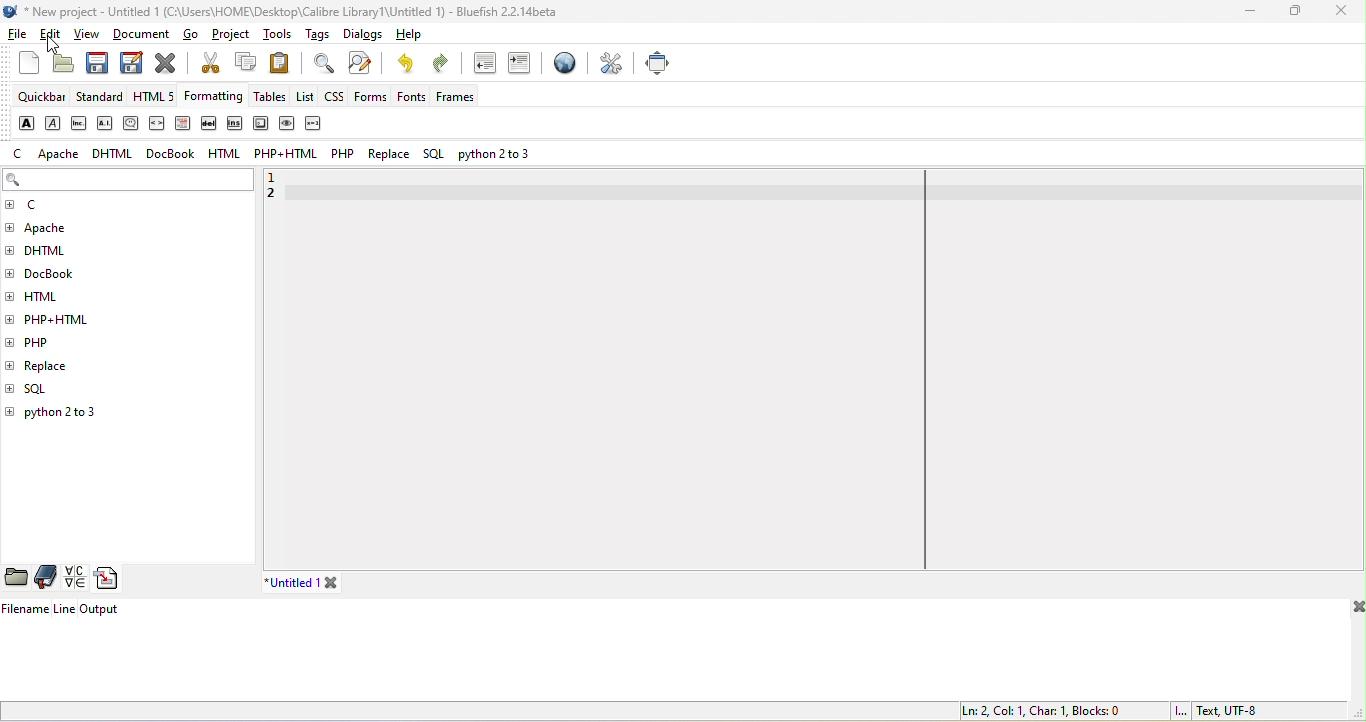 This screenshot has width=1366, height=722. I want to click on cut, so click(208, 65).